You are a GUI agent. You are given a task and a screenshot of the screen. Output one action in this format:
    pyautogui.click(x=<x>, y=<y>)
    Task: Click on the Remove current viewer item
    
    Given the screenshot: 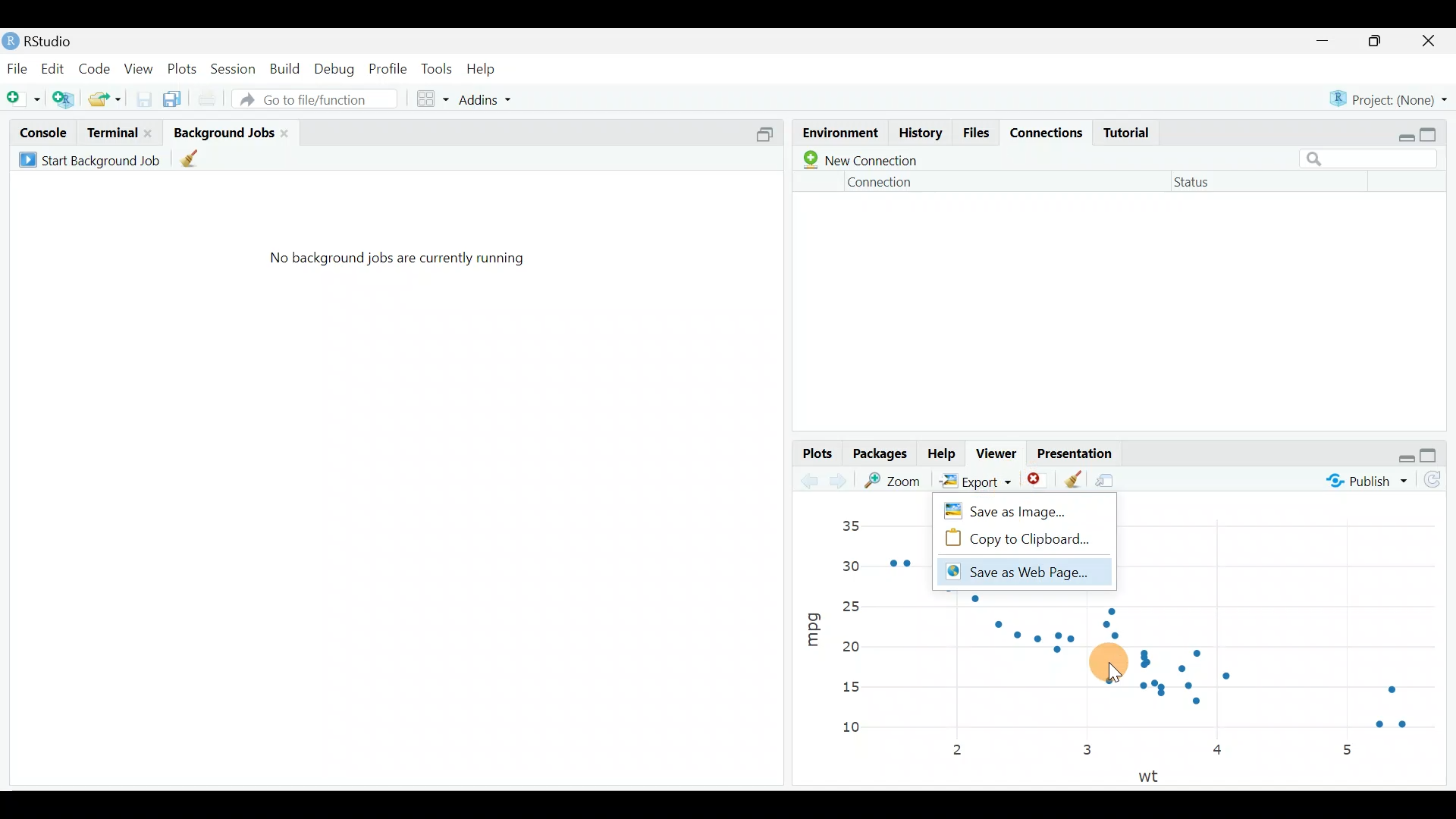 What is the action you would take?
    pyautogui.click(x=1039, y=480)
    